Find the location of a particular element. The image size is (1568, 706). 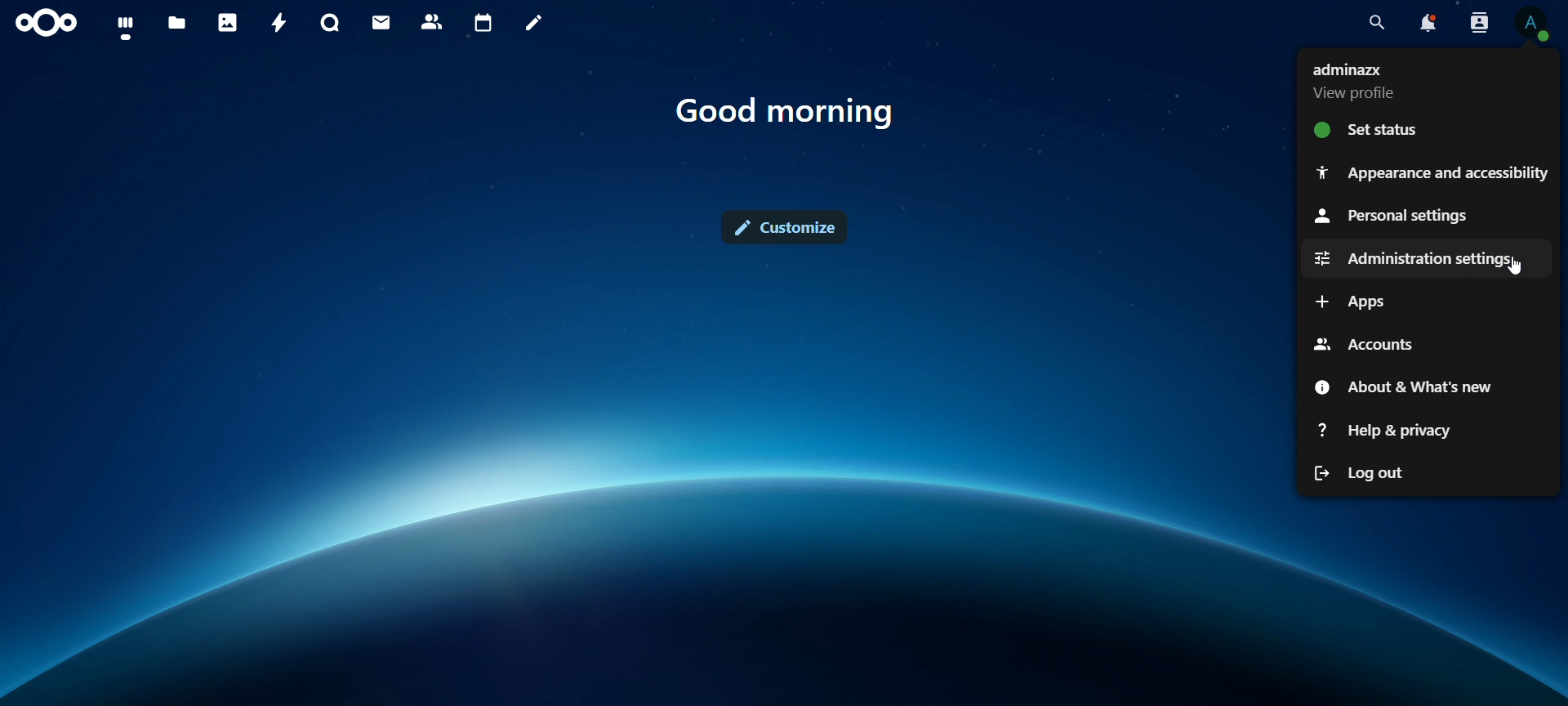

log out is located at coordinates (1361, 472).